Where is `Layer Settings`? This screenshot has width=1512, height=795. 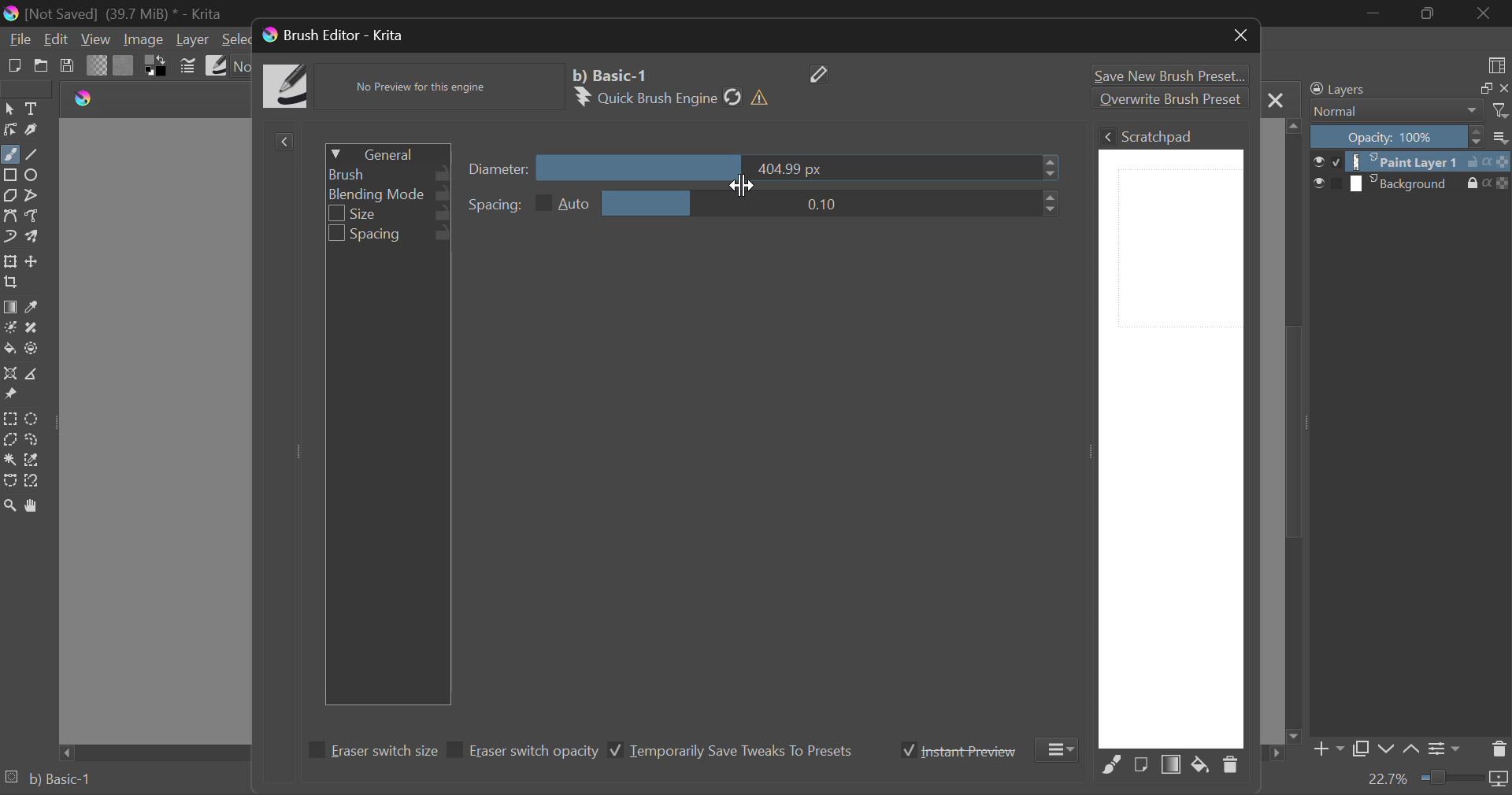 Layer Settings is located at coordinates (1446, 749).